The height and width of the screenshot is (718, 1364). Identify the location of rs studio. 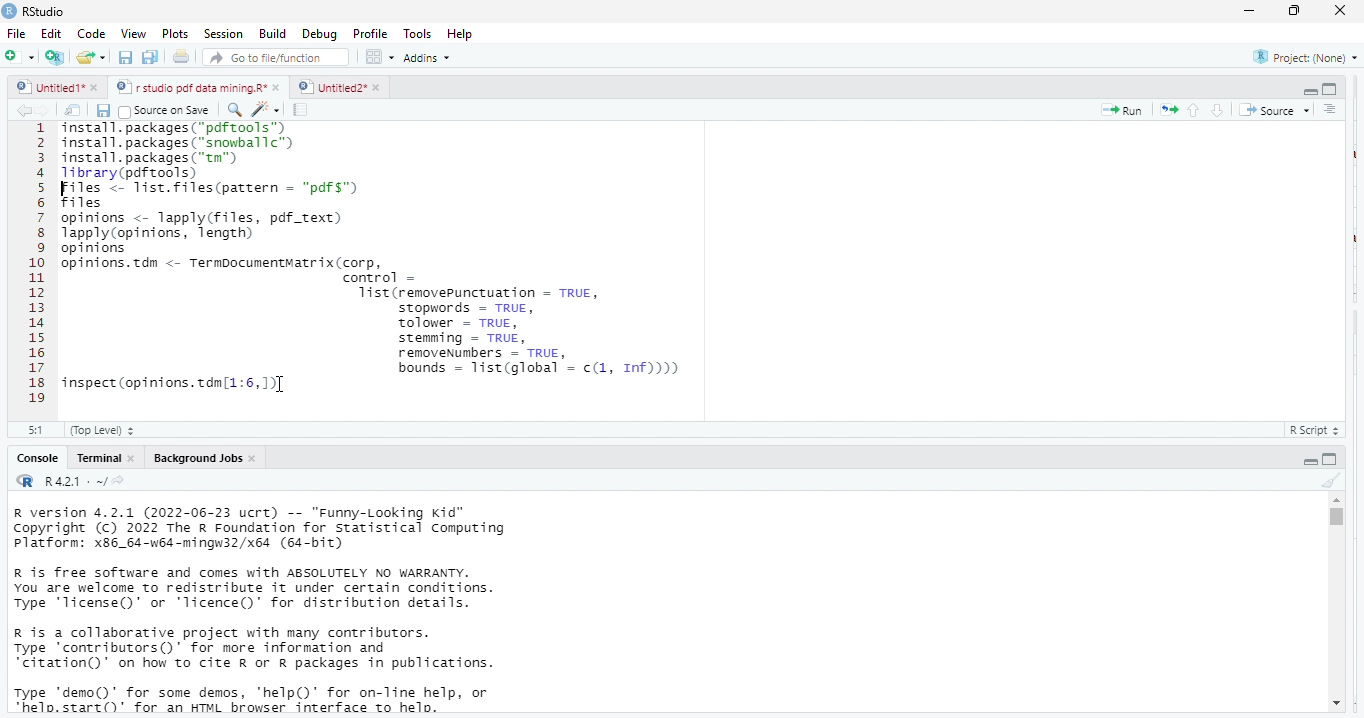
(45, 11).